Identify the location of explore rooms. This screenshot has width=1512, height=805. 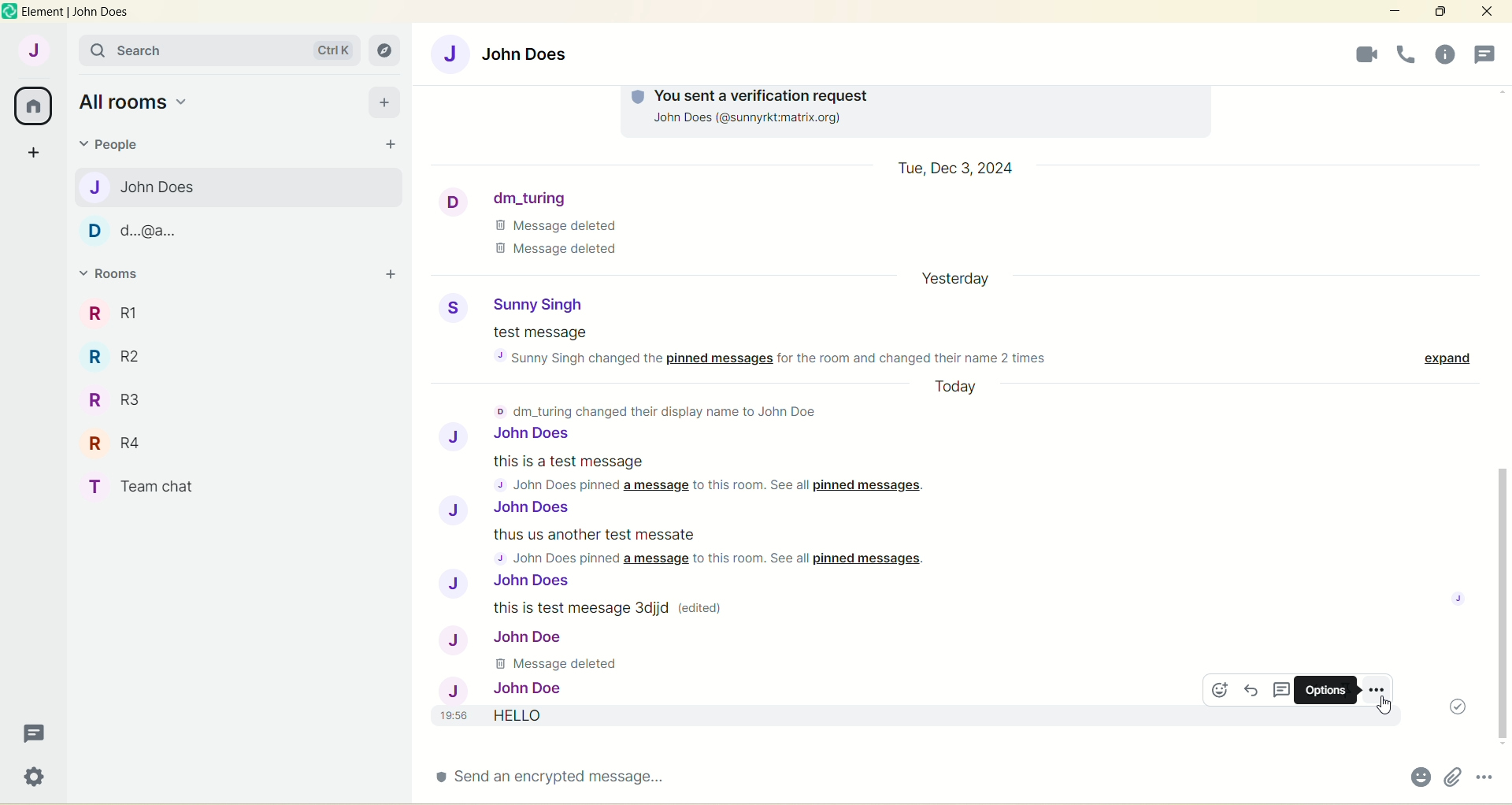
(386, 50).